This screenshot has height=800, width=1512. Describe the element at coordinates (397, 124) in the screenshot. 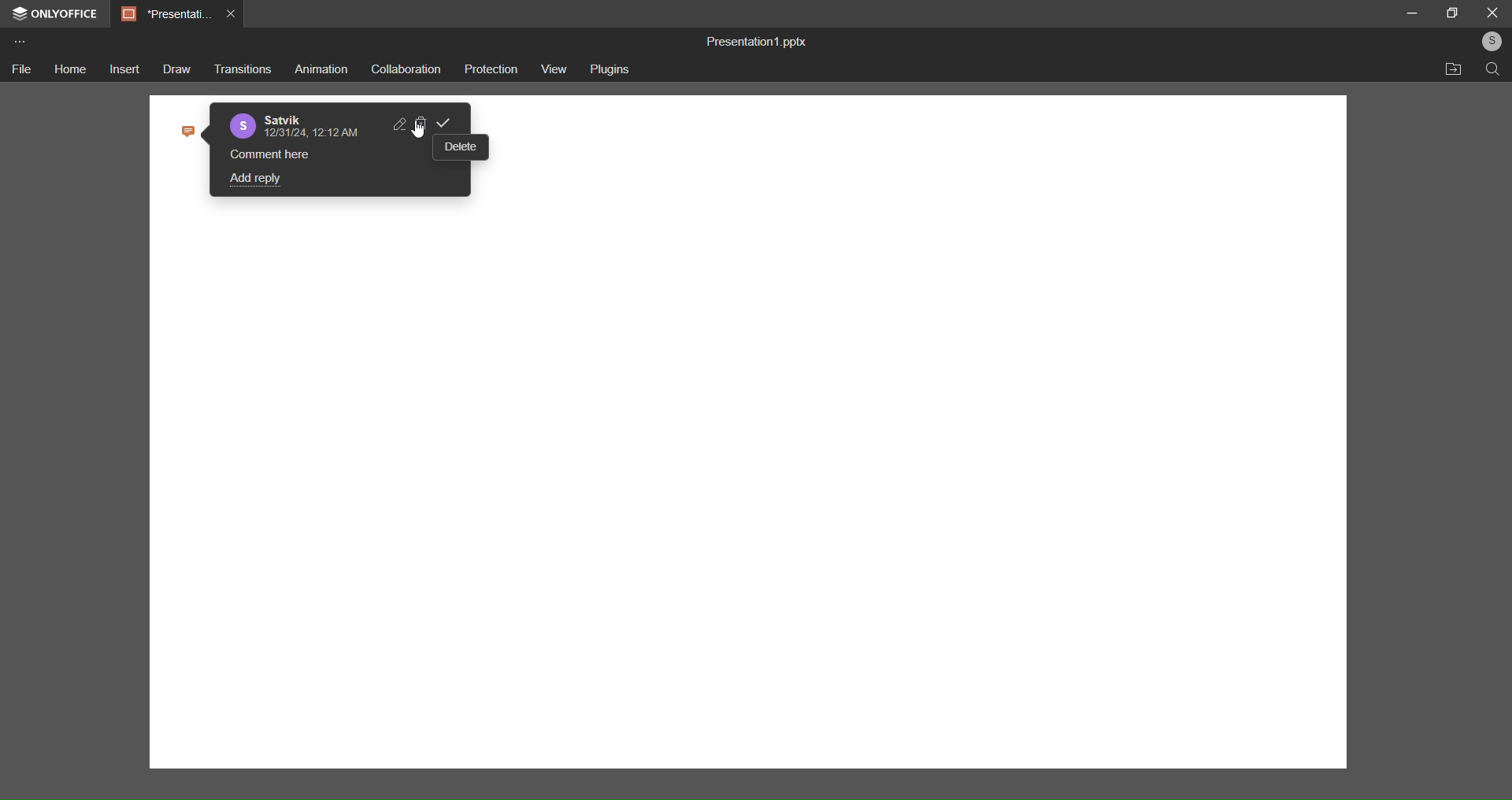

I see `edit` at that location.